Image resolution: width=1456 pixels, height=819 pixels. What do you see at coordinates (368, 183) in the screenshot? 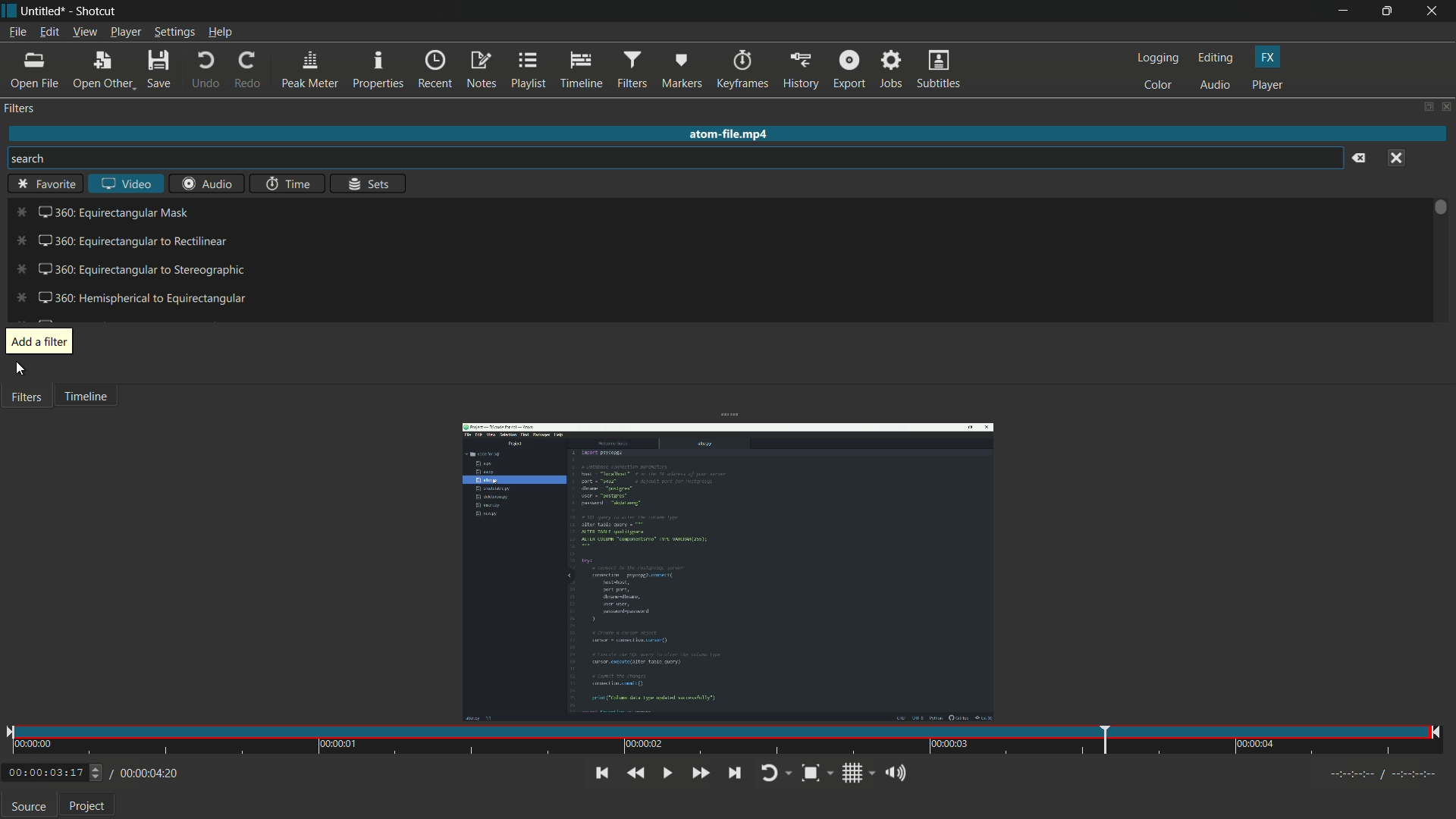
I see `sets` at bounding box center [368, 183].